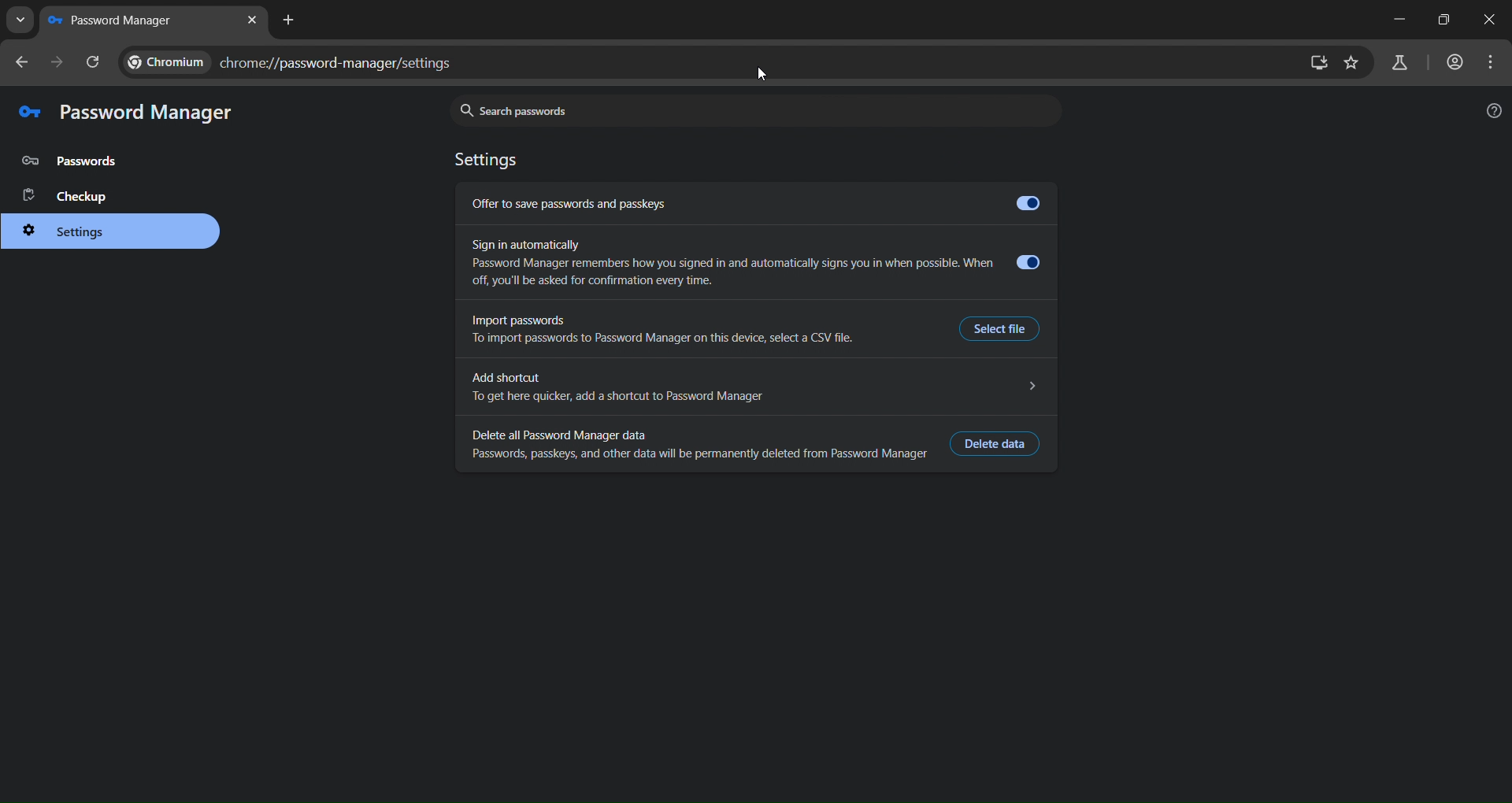  What do you see at coordinates (1399, 61) in the screenshot?
I see `search labs` at bounding box center [1399, 61].